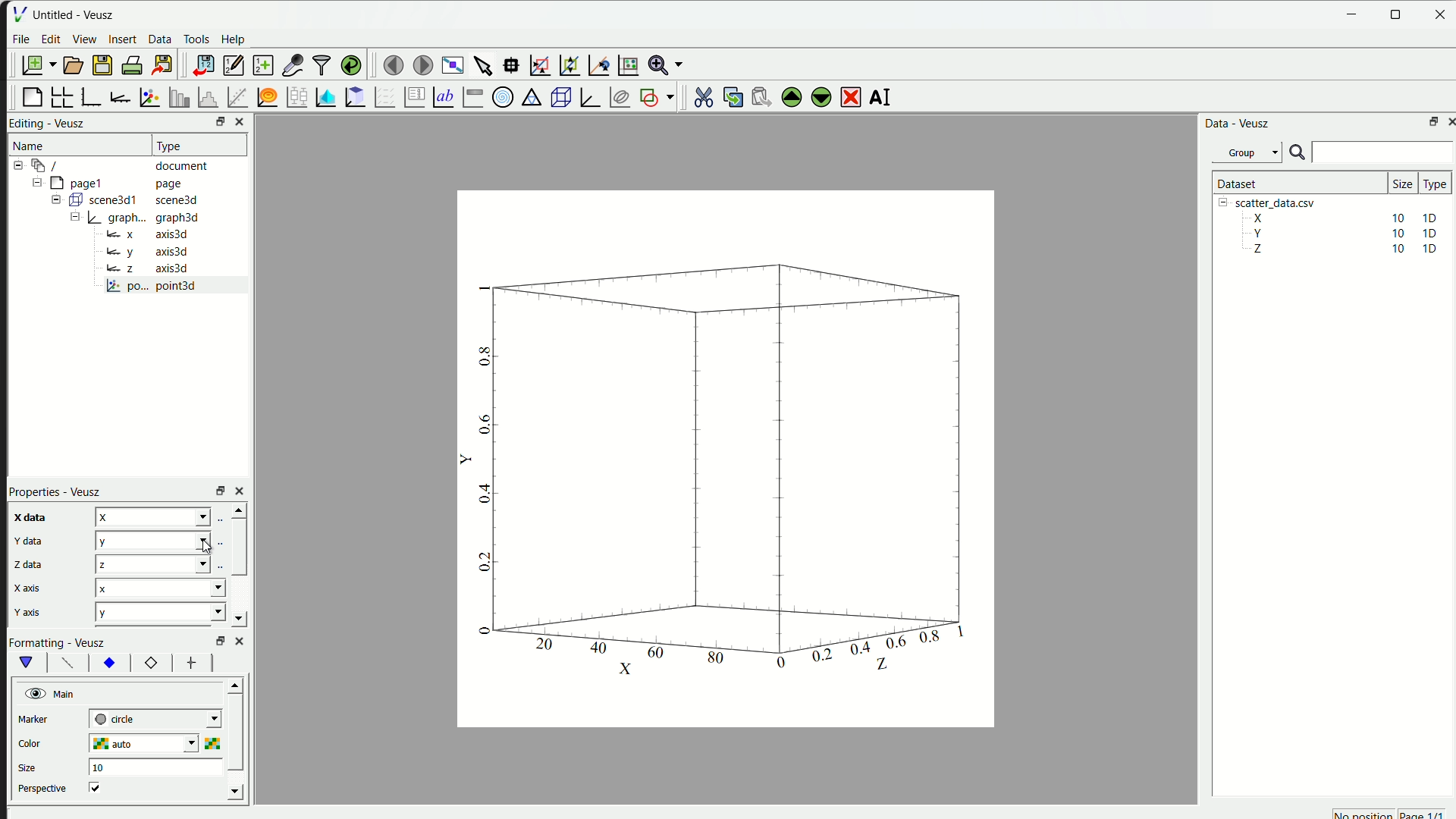  Describe the element at coordinates (442, 98) in the screenshot. I see `Text label` at that location.